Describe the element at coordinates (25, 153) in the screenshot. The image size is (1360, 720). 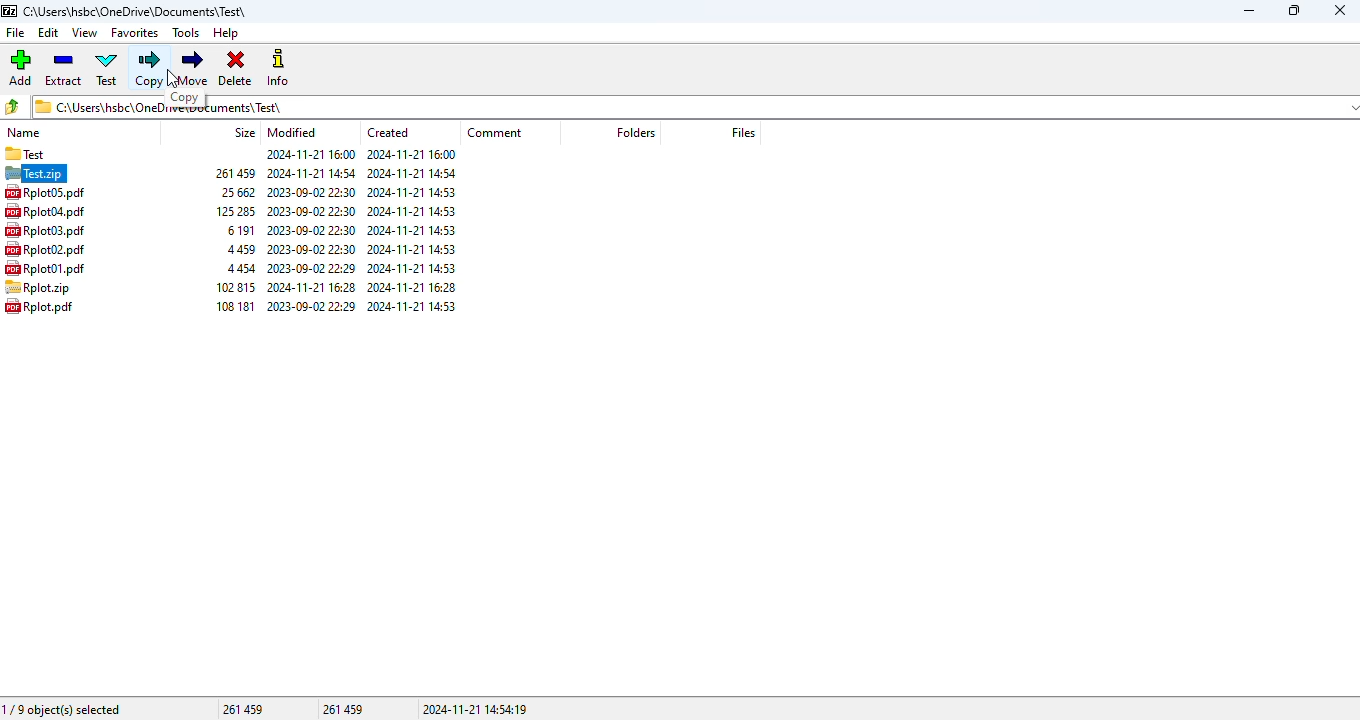
I see `folder name` at that location.